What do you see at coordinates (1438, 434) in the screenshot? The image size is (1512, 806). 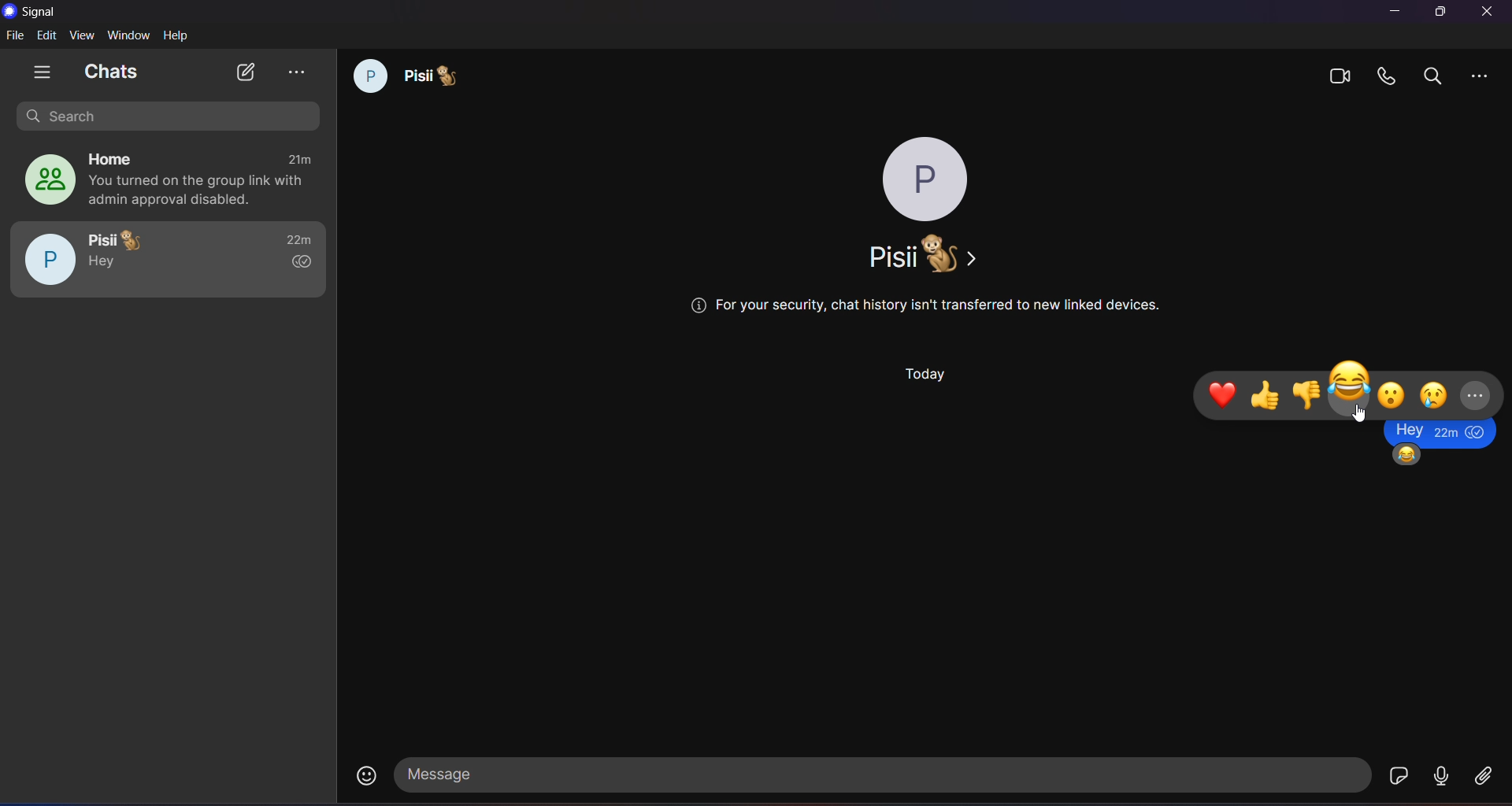 I see `message` at bounding box center [1438, 434].